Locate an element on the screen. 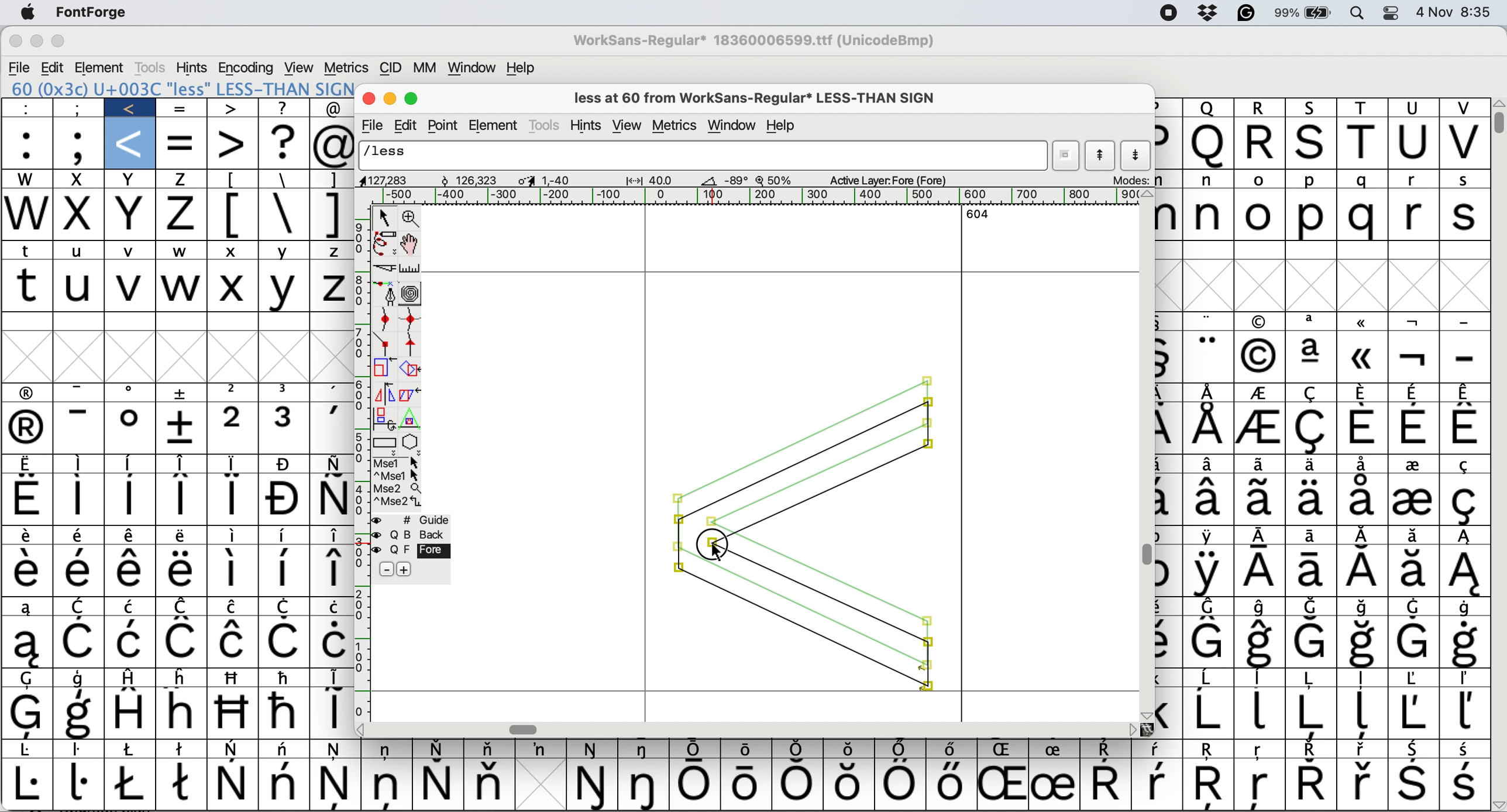 The height and width of the screenshot is (812, 1507). n is located at coordinates (1209, 180).